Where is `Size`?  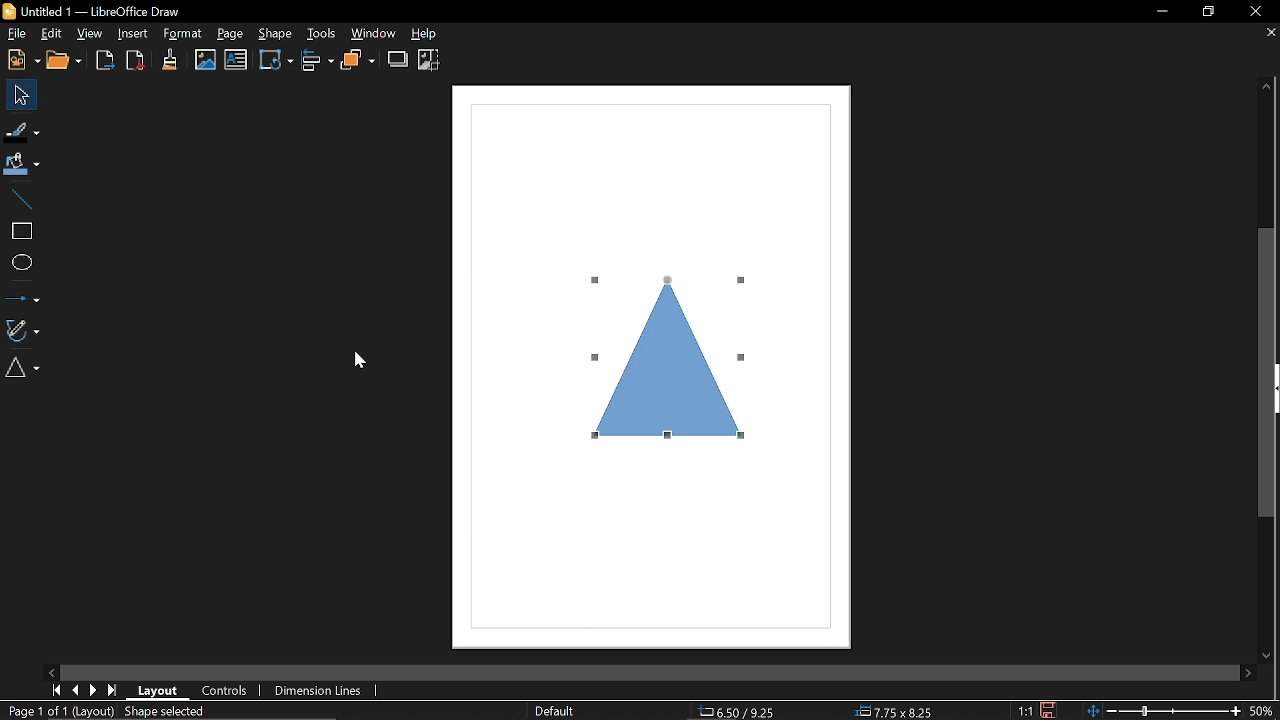 Size is located at coordinates (895, 712).